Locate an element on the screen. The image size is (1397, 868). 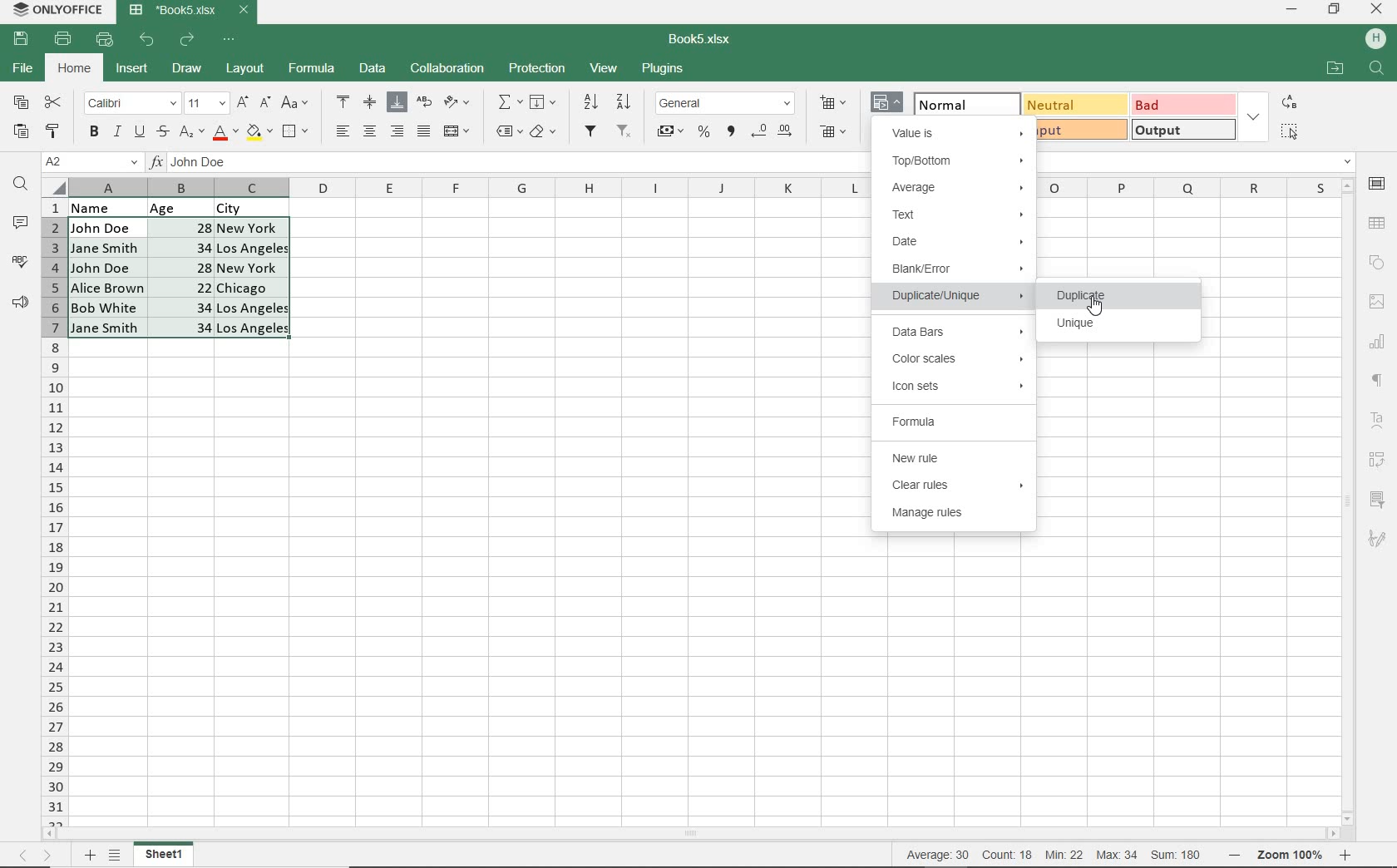
CHANGE CASE is located at coordinates (296, 103).